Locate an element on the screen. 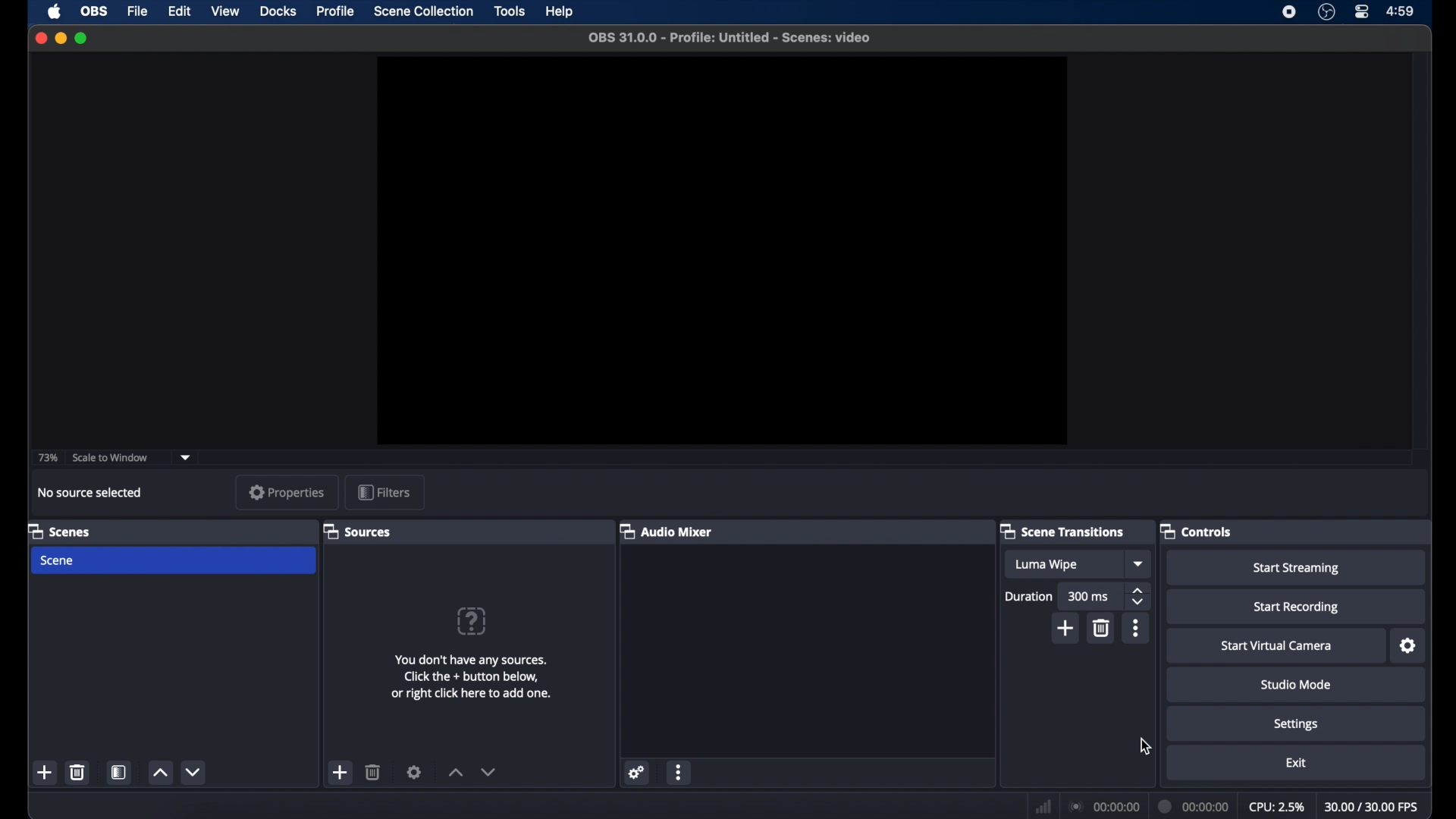  cursor is located at coordinates (1146, 746).